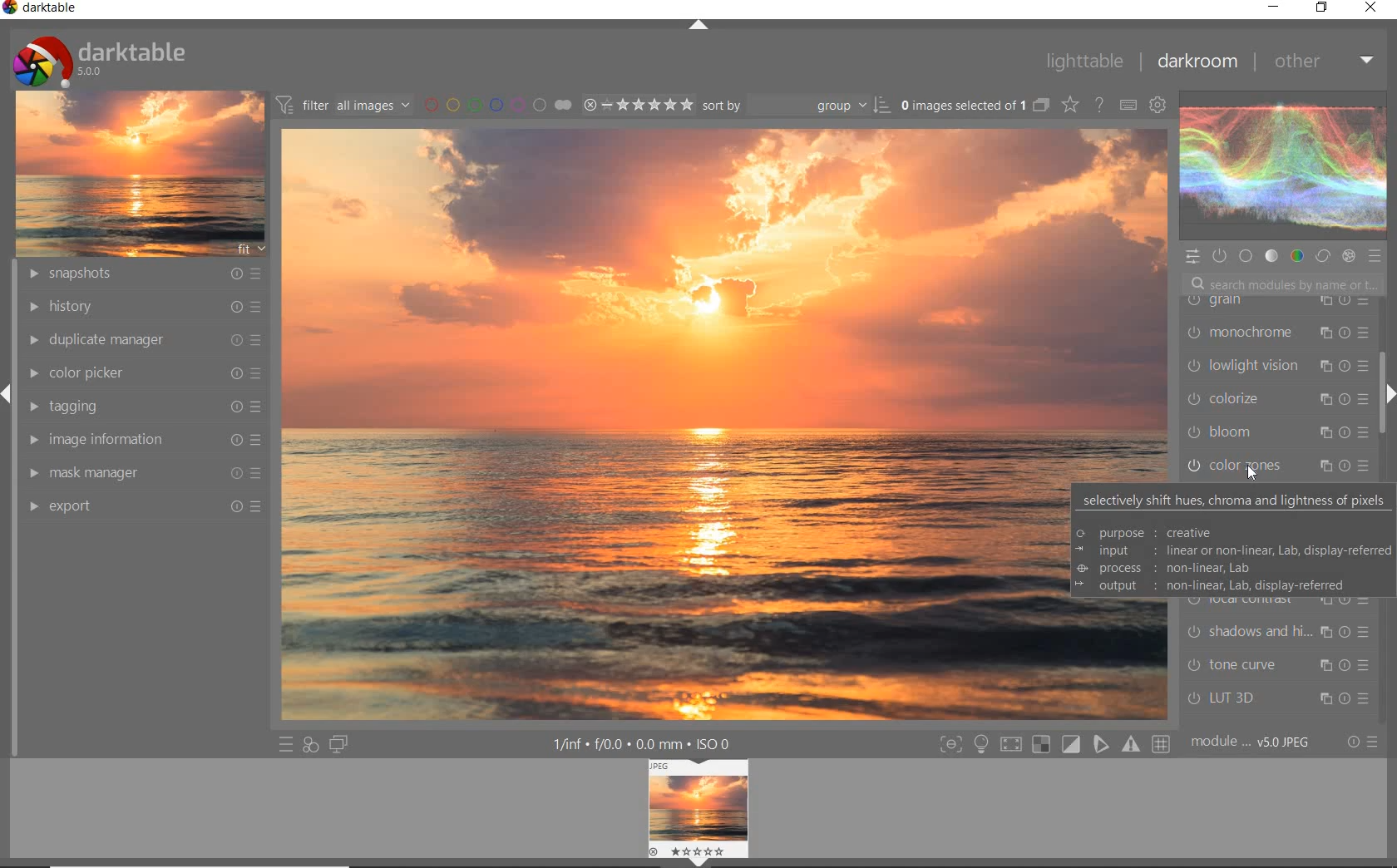 The image size is (1397, 868). What do you see at coordinates (1054, 744) in the screenshot?
I see `TOGGLE MODE` at bounding box center [1054, 744].